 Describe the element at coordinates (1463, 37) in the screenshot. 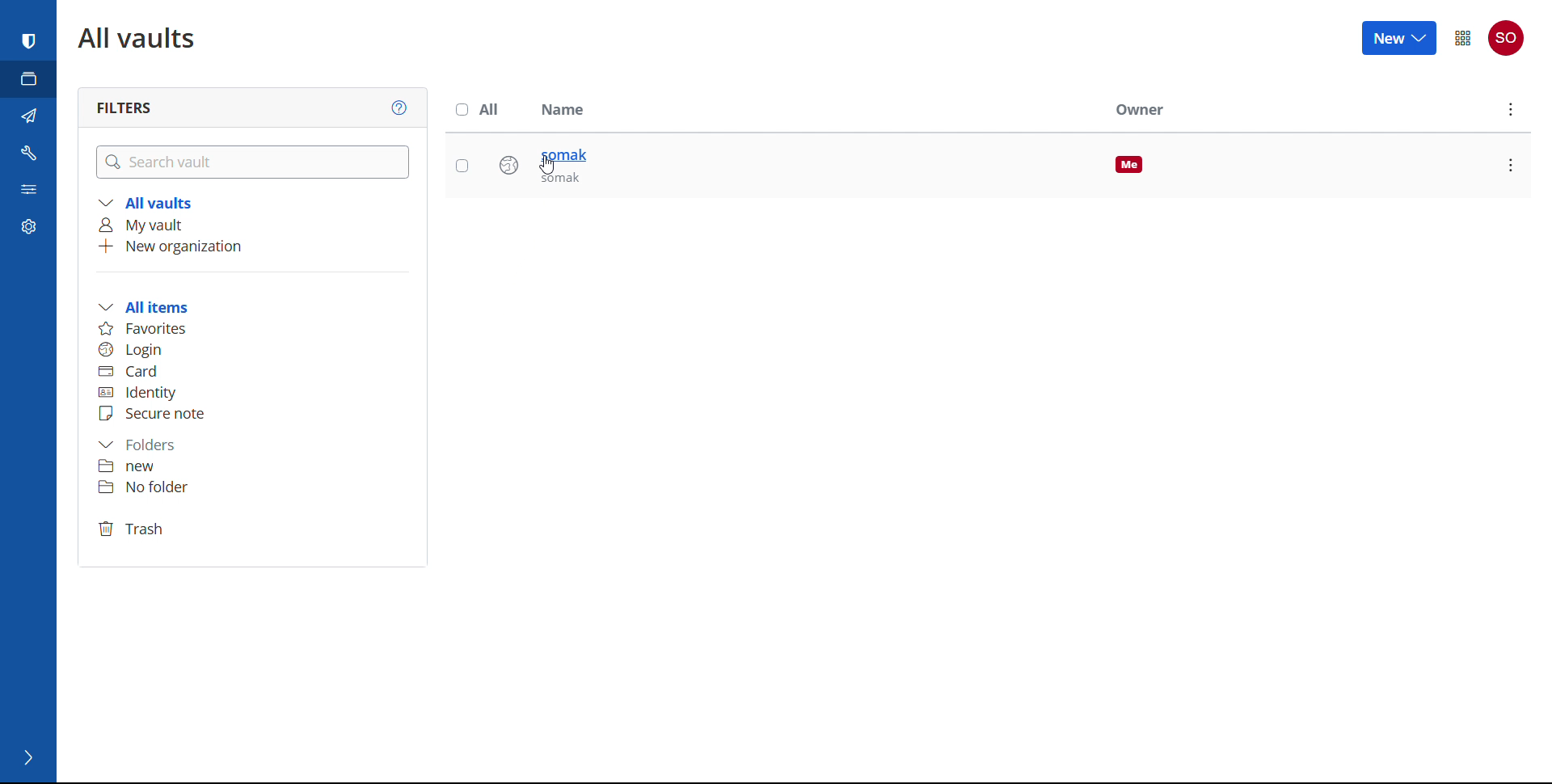

I see `menu` at that location.